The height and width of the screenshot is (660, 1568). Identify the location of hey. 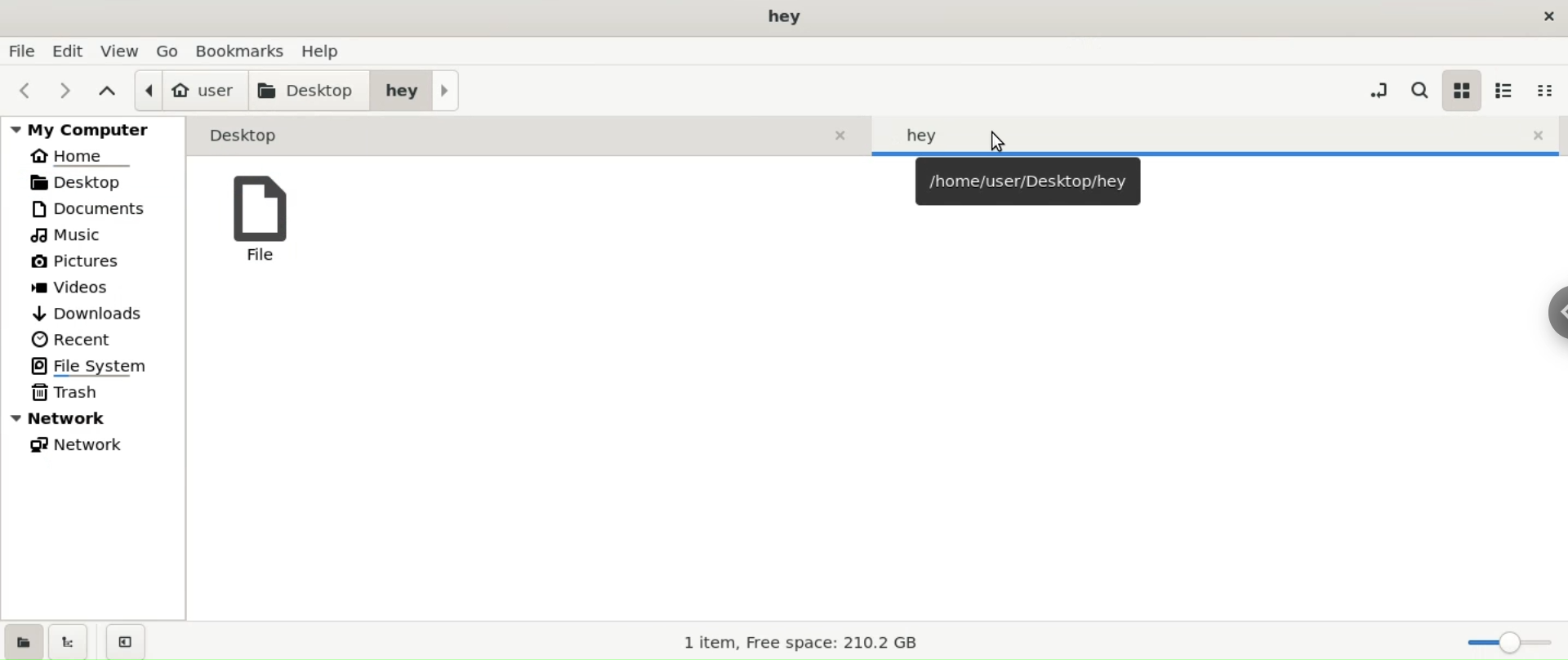
(1221, 134).